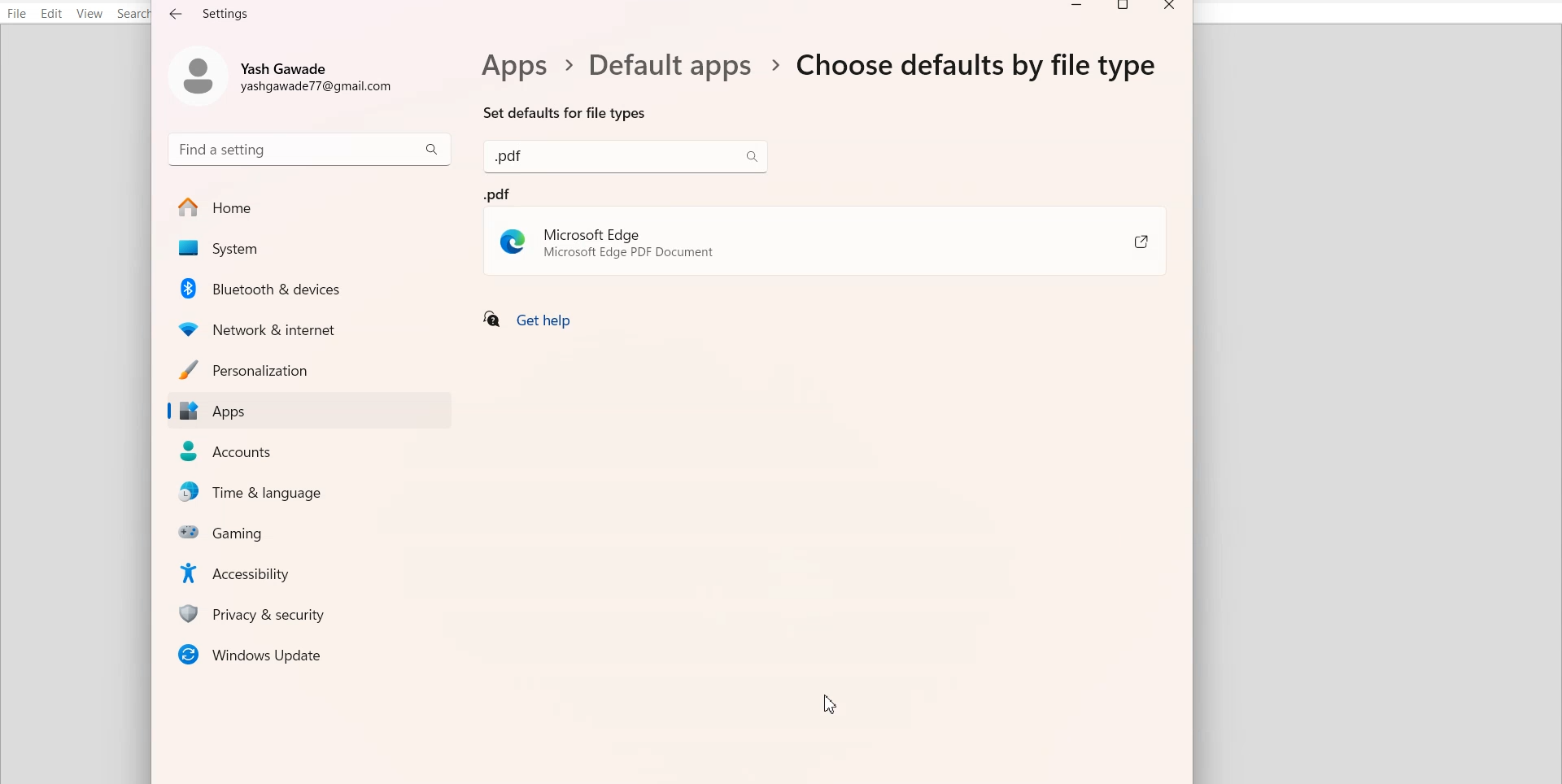 Image resolution: width=1562 pixels, height=784 pixels. I want to click on Minimize, so click(1077, 8).